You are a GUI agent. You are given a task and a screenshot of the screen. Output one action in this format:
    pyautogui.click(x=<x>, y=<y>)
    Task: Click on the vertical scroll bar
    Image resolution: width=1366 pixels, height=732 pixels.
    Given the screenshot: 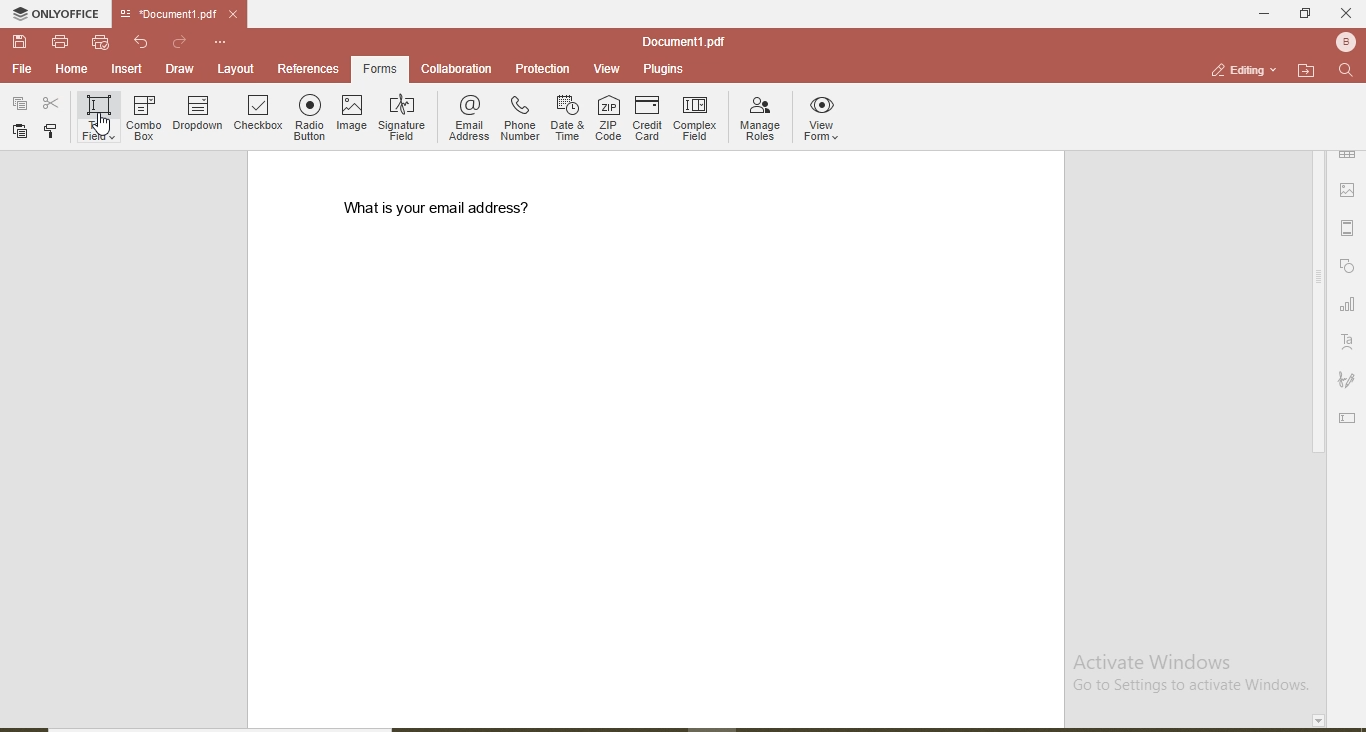 What is the action you would take?
    pyautogui.click(x=1317, y=304)
    